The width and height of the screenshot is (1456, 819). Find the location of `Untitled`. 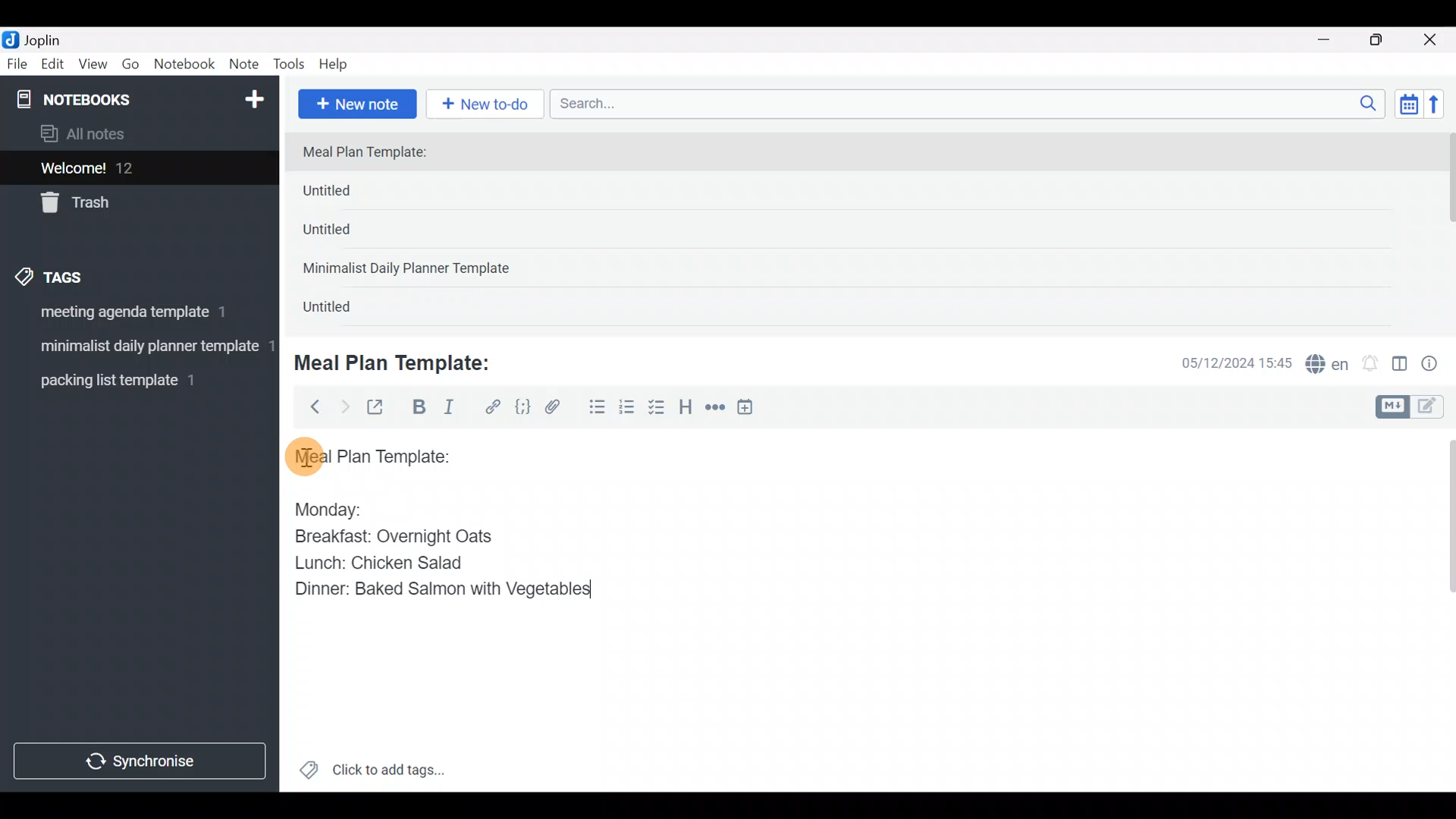

Untitled is located at coordinates (347, 234).